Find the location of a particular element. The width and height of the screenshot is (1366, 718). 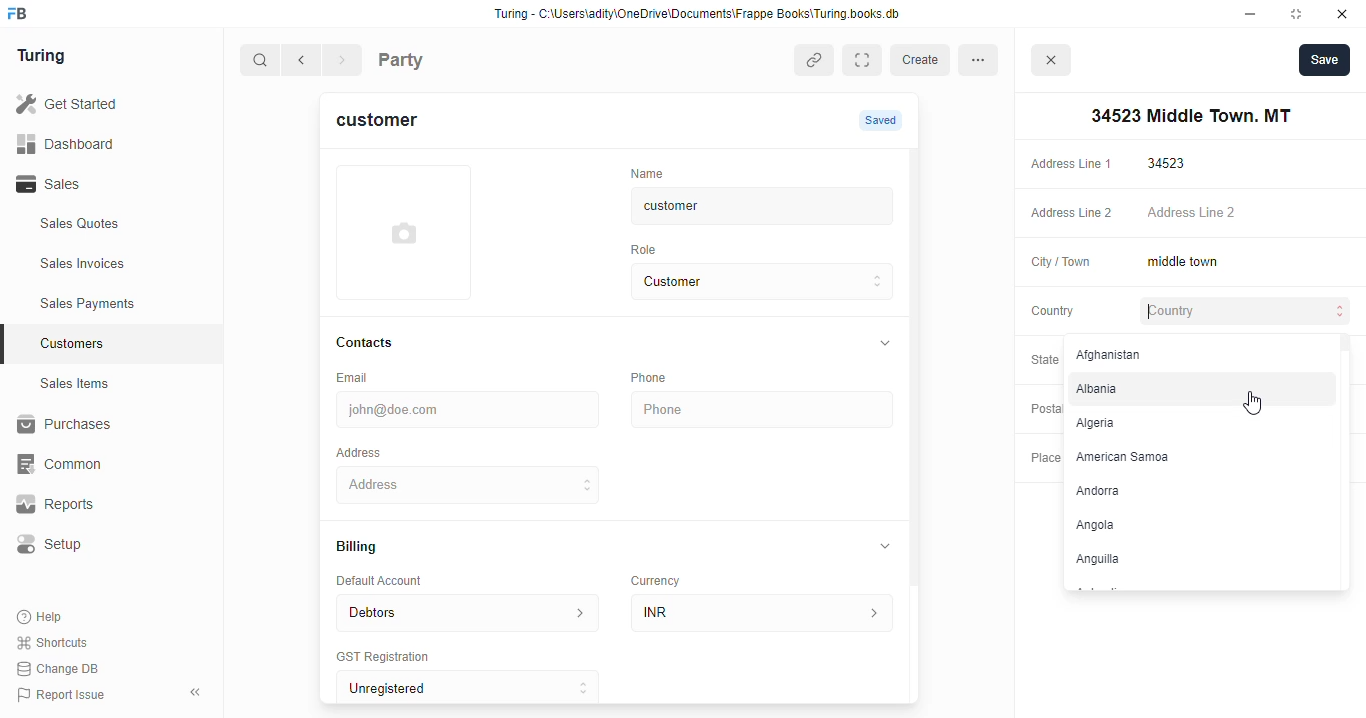

Sales is located at coordinates (98, 184).